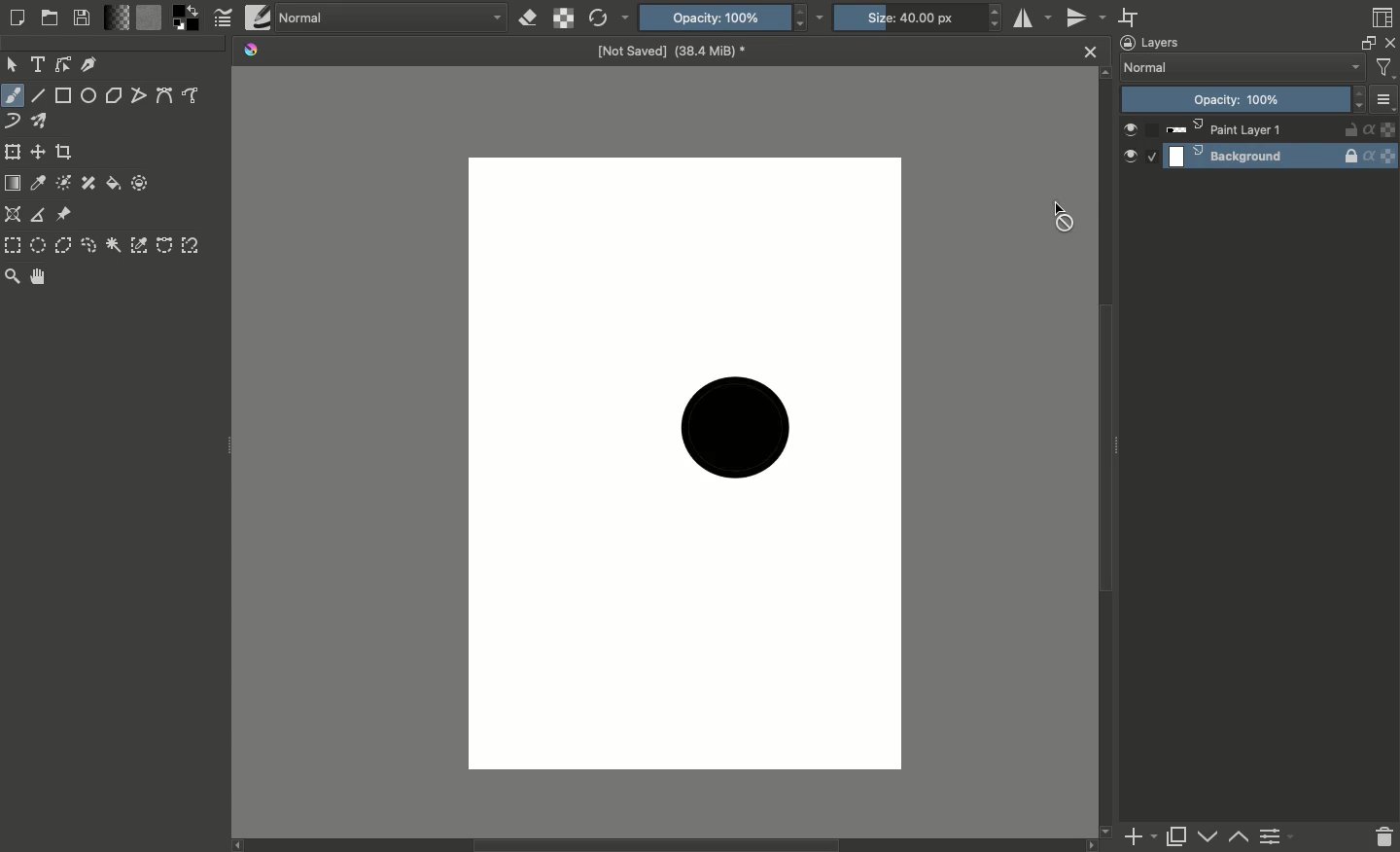  What do you see at coordinates (39, 153) in the screenshot?
I see `Move a layer` at bounding box center [39, 153].